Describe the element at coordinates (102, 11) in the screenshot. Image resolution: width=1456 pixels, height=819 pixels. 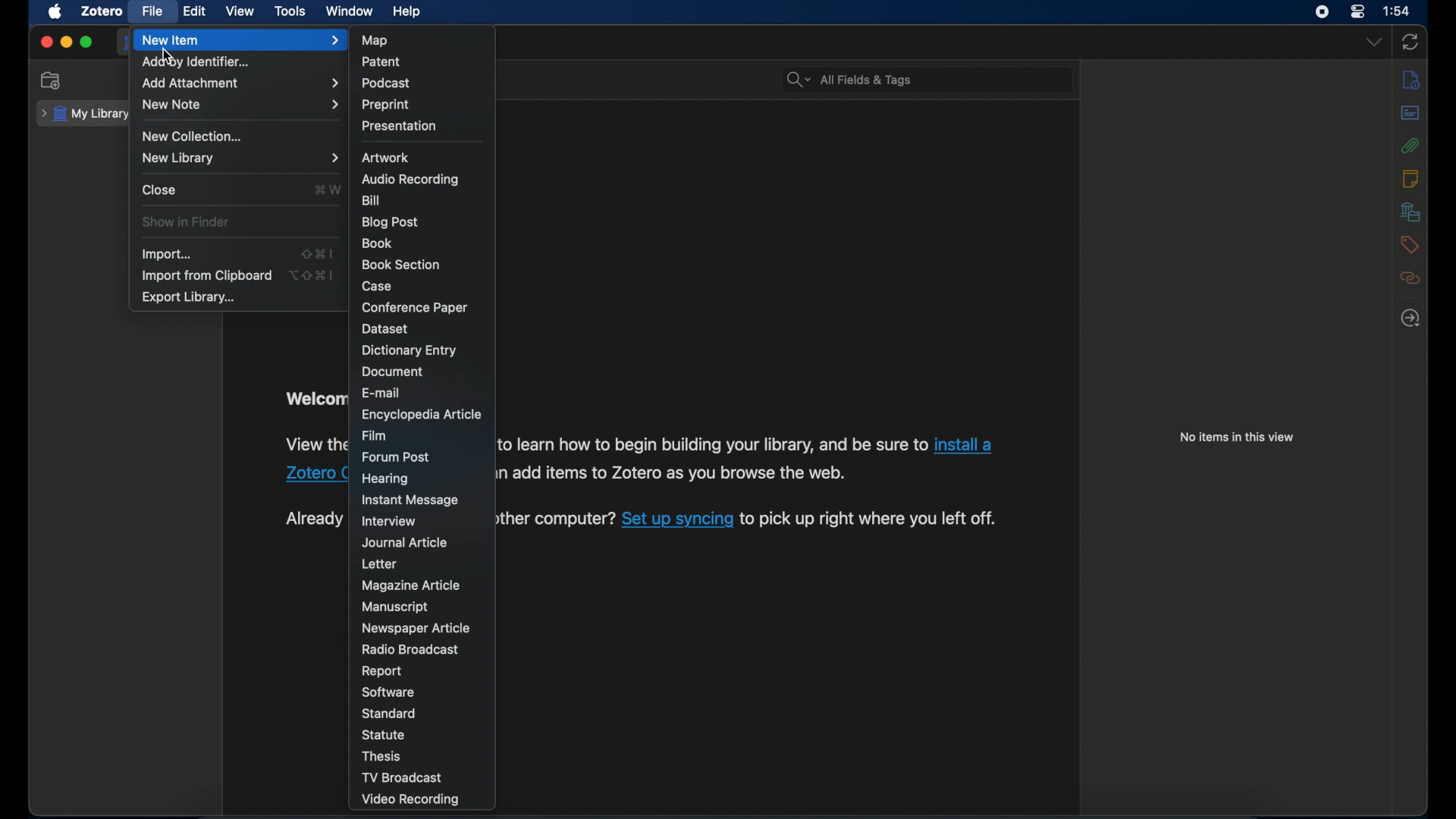
I see `zotero` at that location.